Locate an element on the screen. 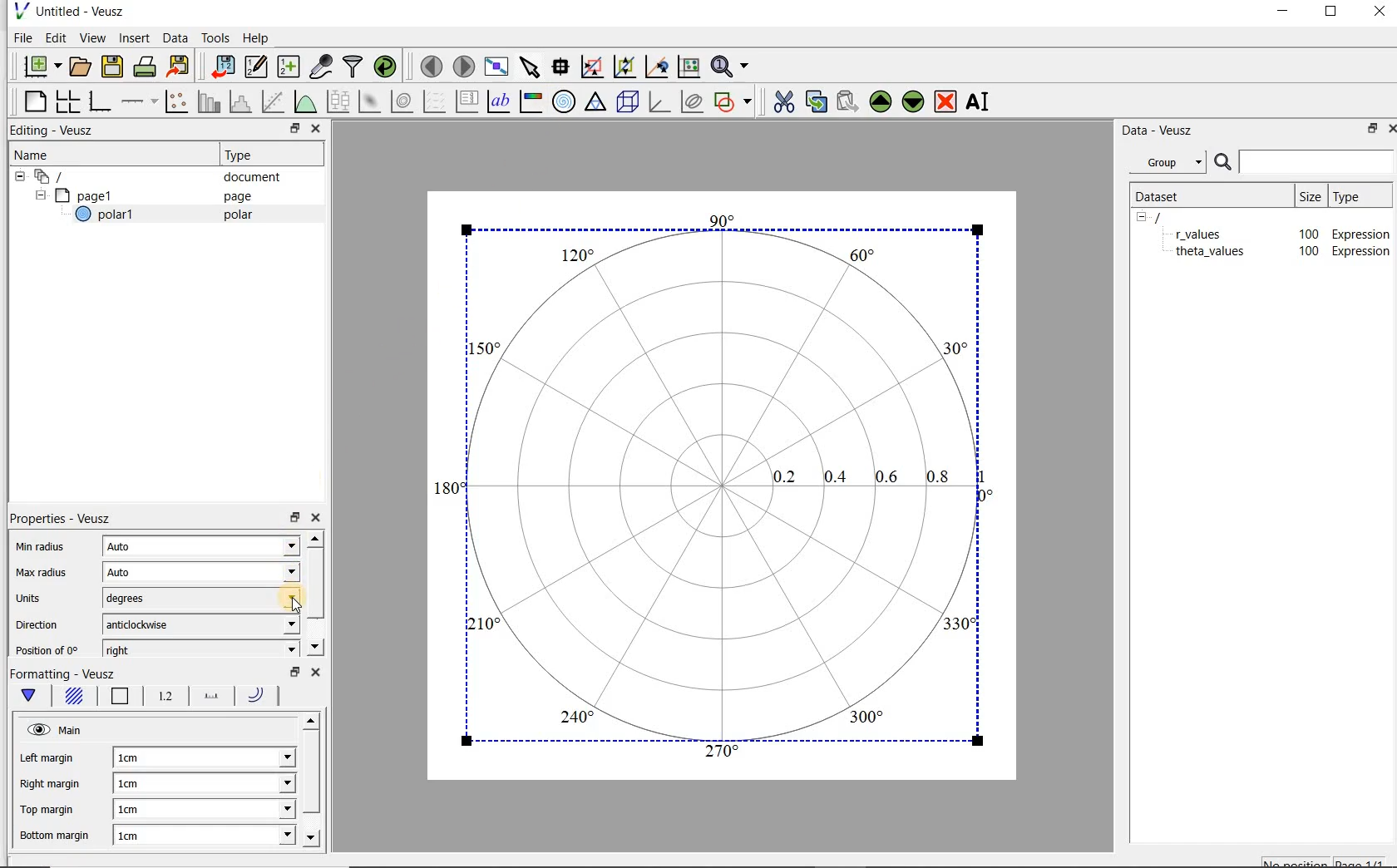 This screenshot has height=868, width=1397. maximize is located at coordinates (1331, 14).